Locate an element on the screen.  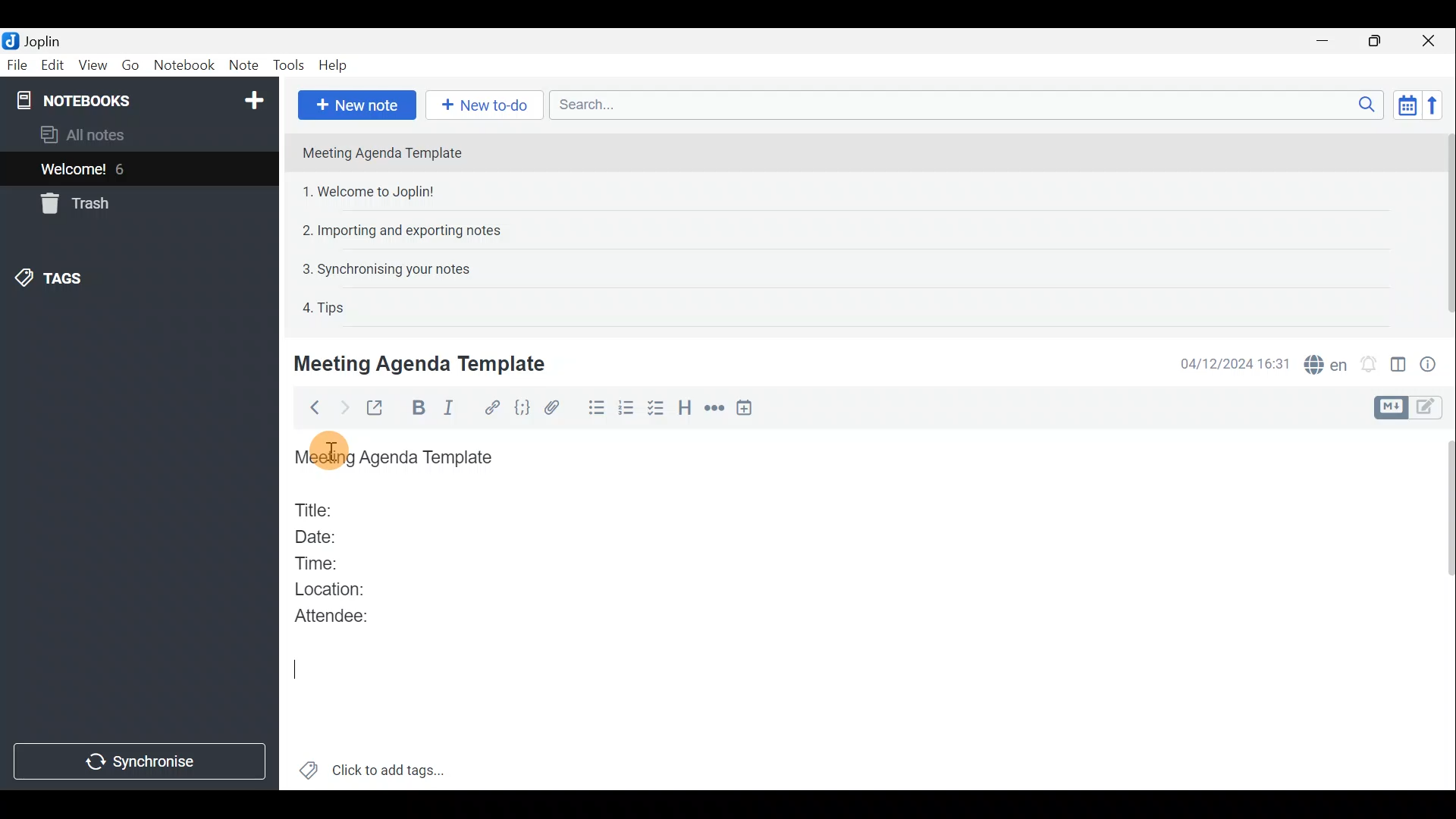
Spell checker is located at coordinates (1327, 362).